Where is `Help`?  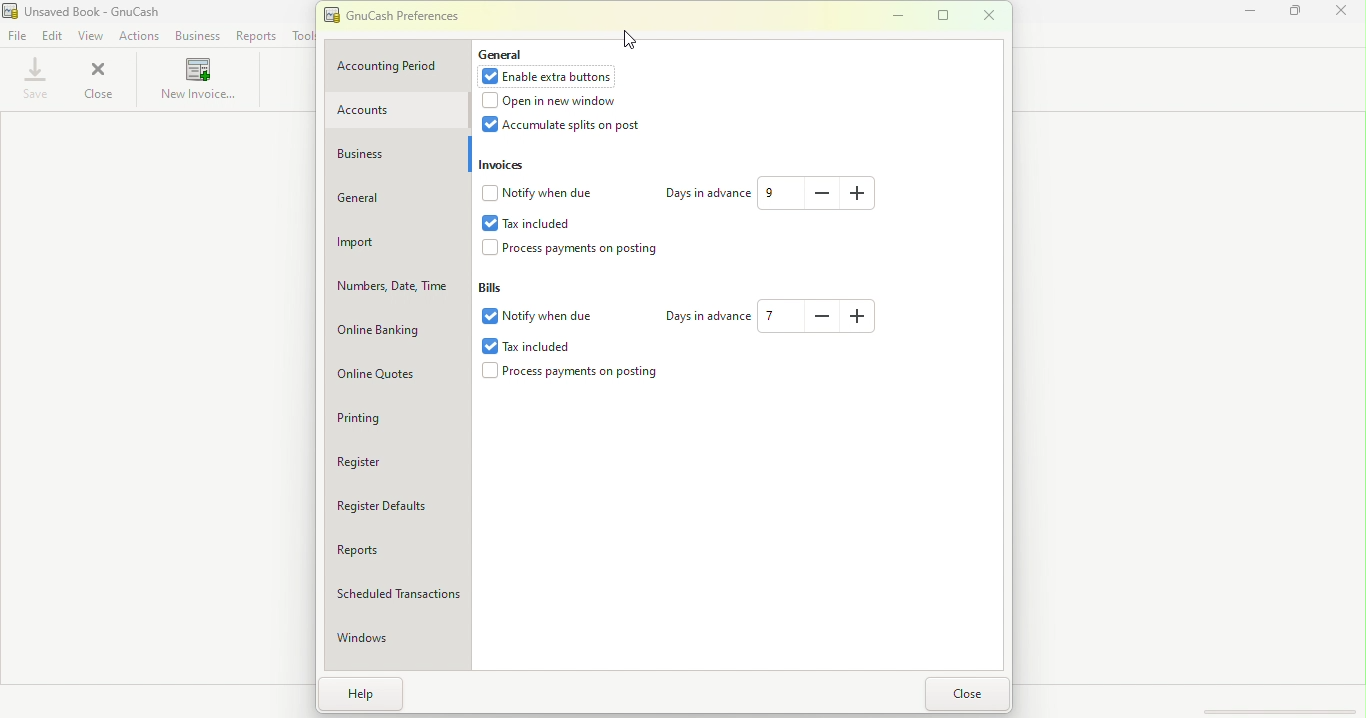
Help is located at coordinates (363, 694).